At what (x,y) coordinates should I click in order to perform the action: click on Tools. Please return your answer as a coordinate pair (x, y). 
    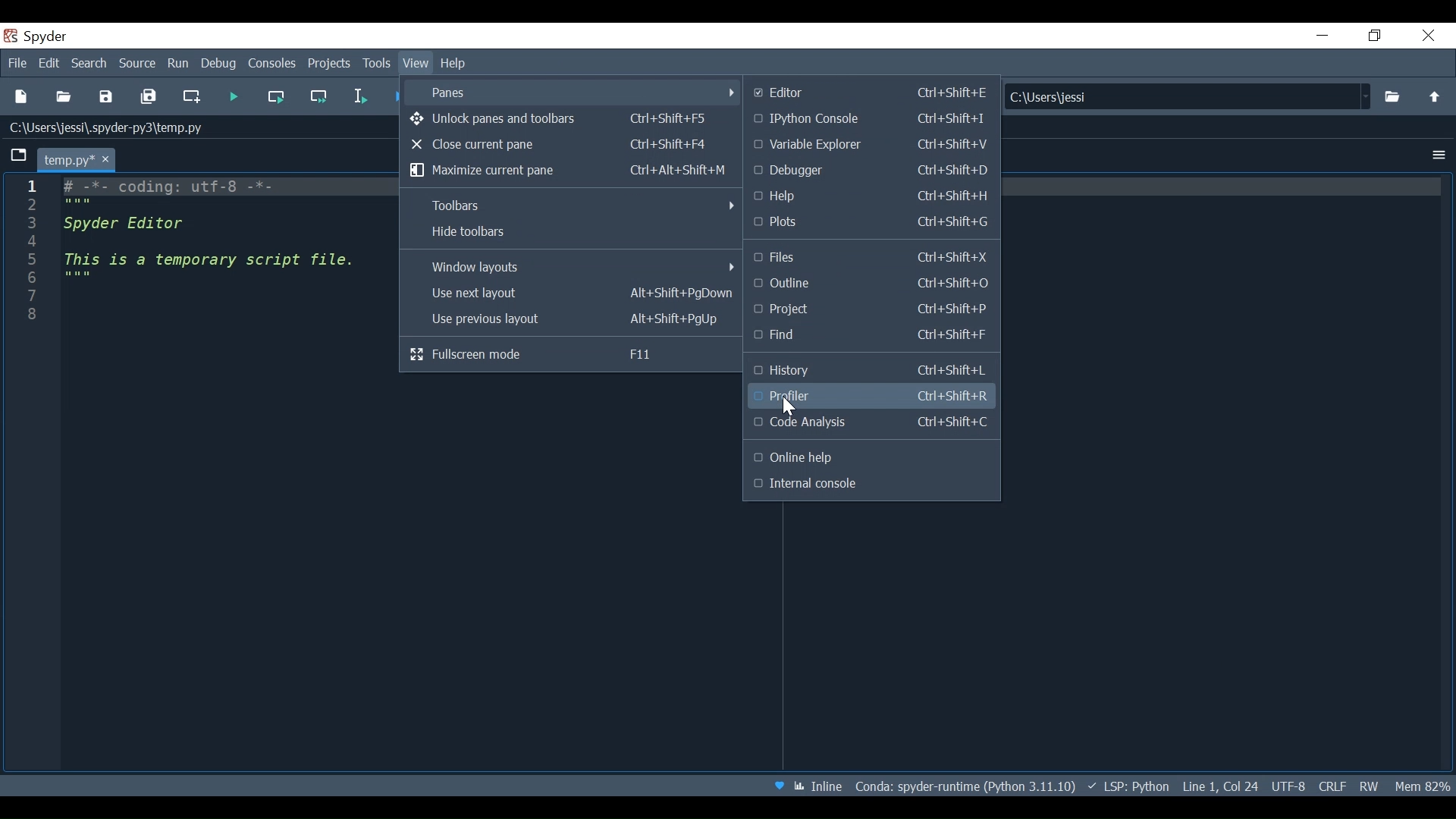
    Looking at the image, I should click on (378, 64).